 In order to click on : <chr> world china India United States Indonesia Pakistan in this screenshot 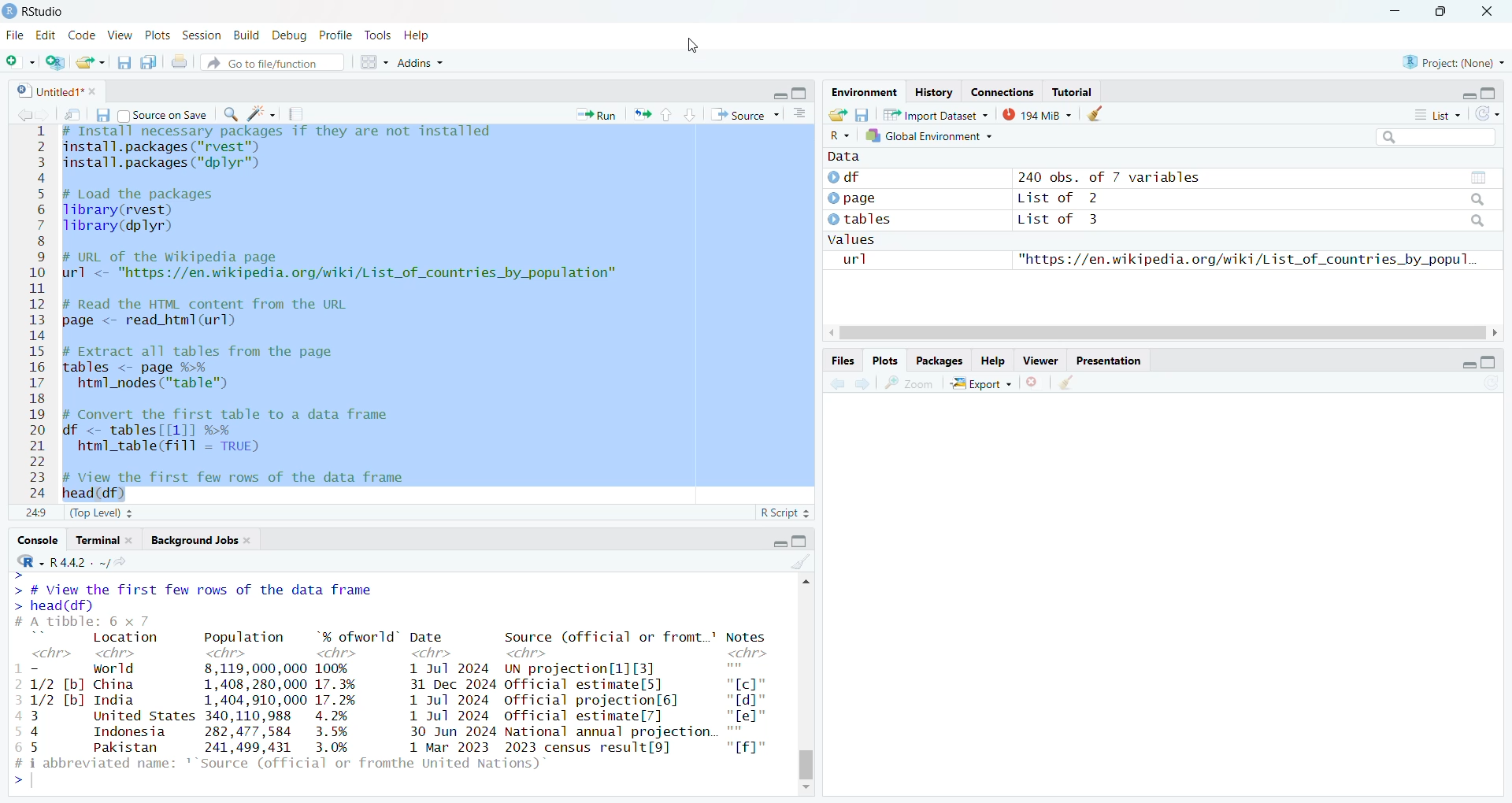, I will do `click(143, 700)`.